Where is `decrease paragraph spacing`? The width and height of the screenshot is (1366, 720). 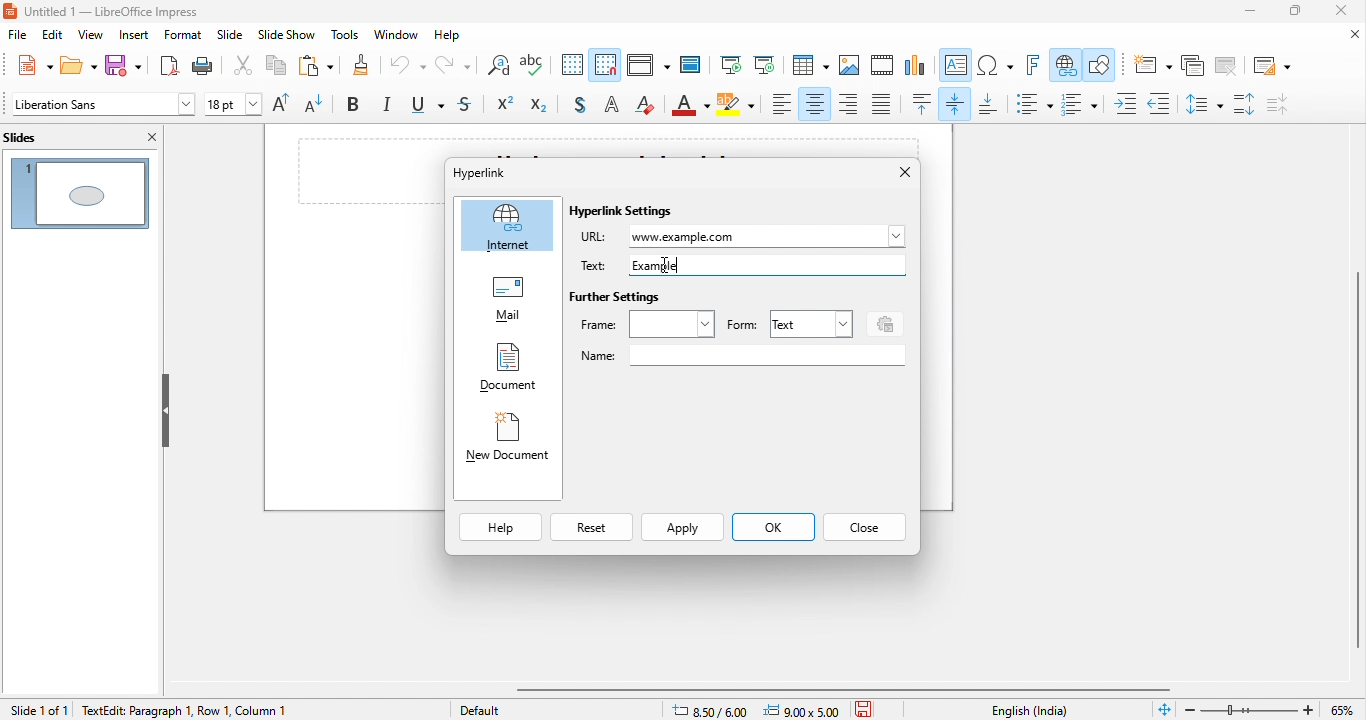
decrease paragraph spacing is located at coordinates (1290, 104).